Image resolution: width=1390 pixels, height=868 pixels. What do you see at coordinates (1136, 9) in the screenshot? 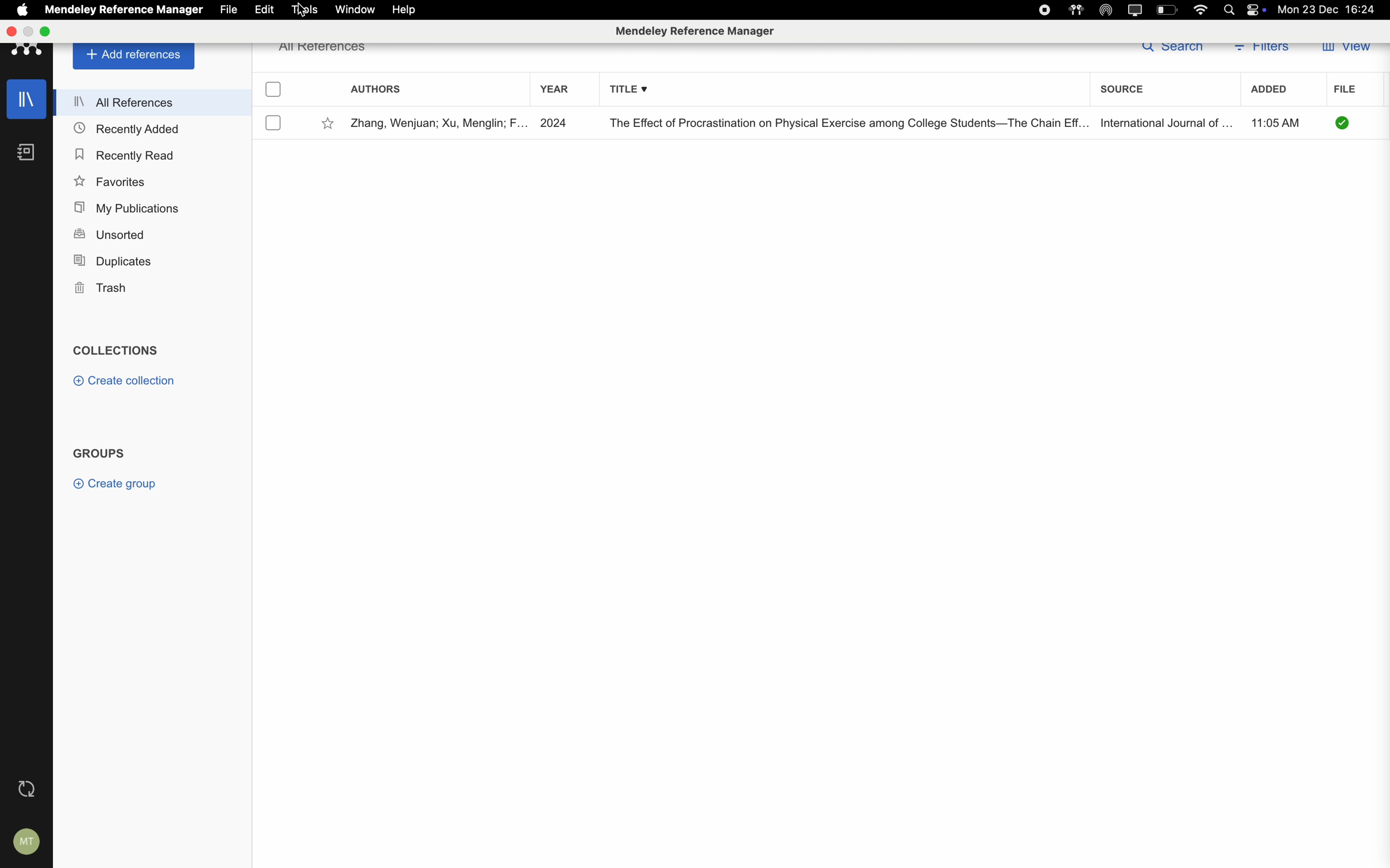
I see `screen` at bounding box center [1136, 9].